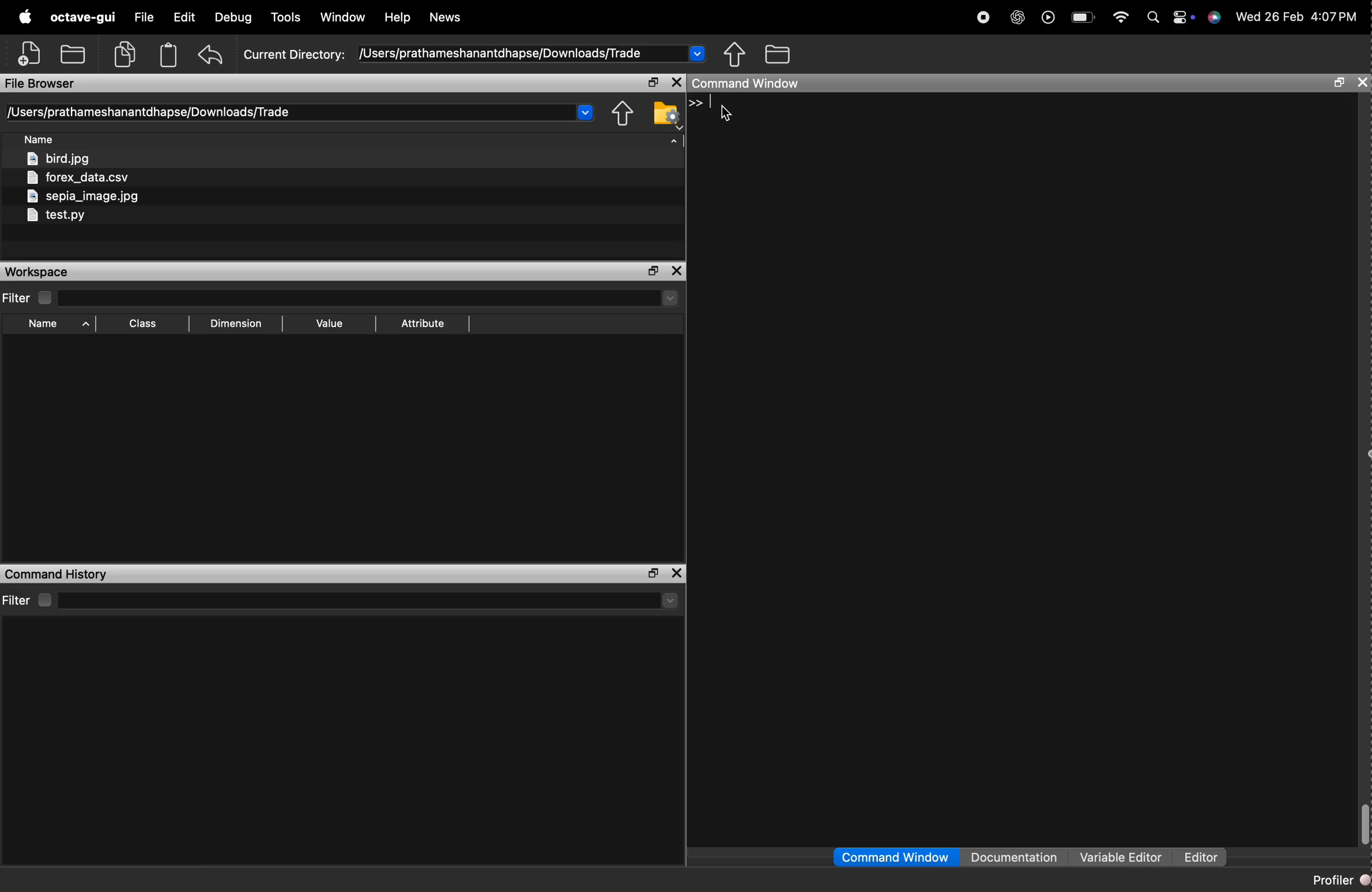 The width and height of the screenshot is (1372, 892). I want to click on close, so click(1362, 82).